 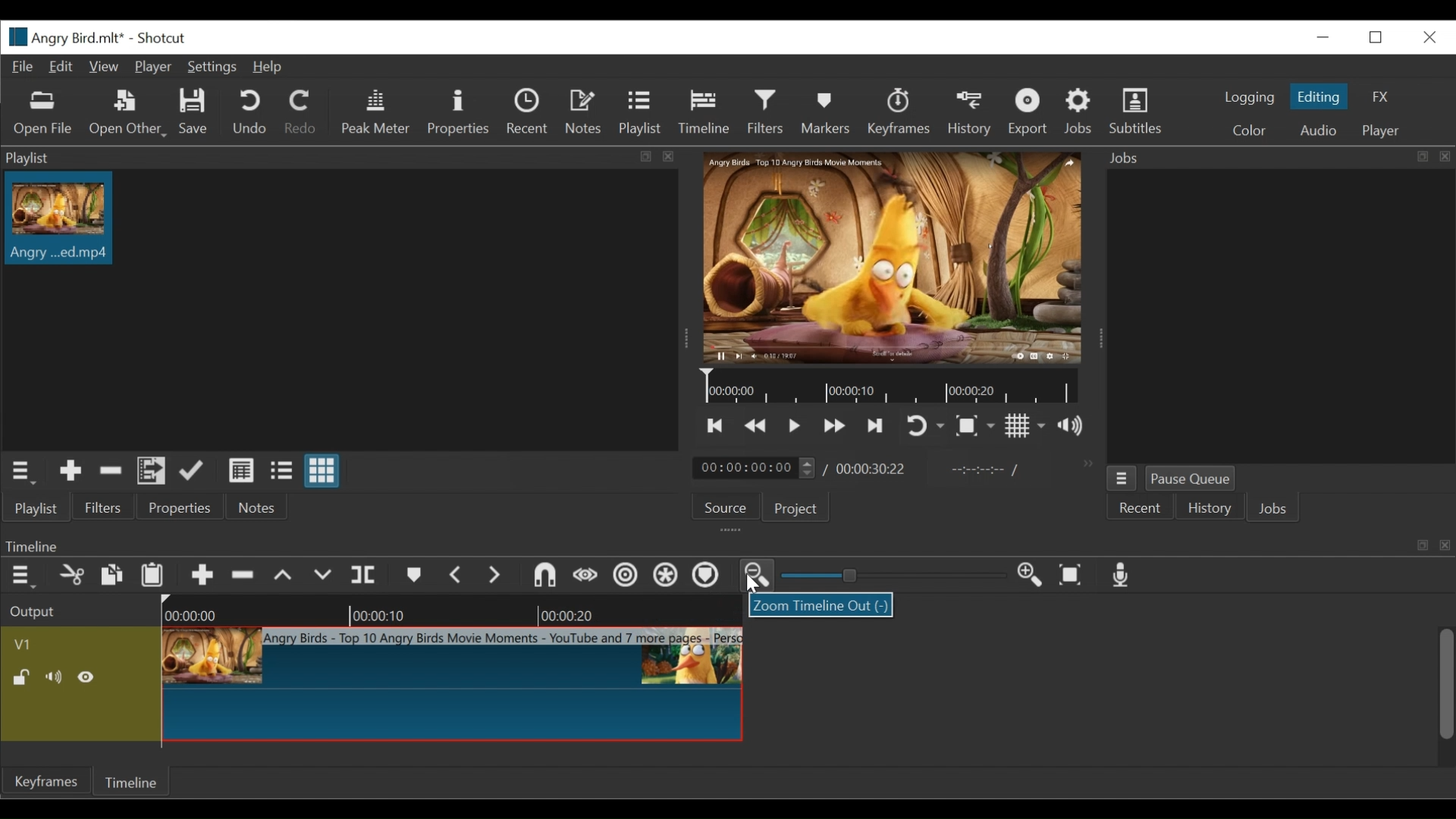 I want to click on Timeline, so click(x=704, y=111).